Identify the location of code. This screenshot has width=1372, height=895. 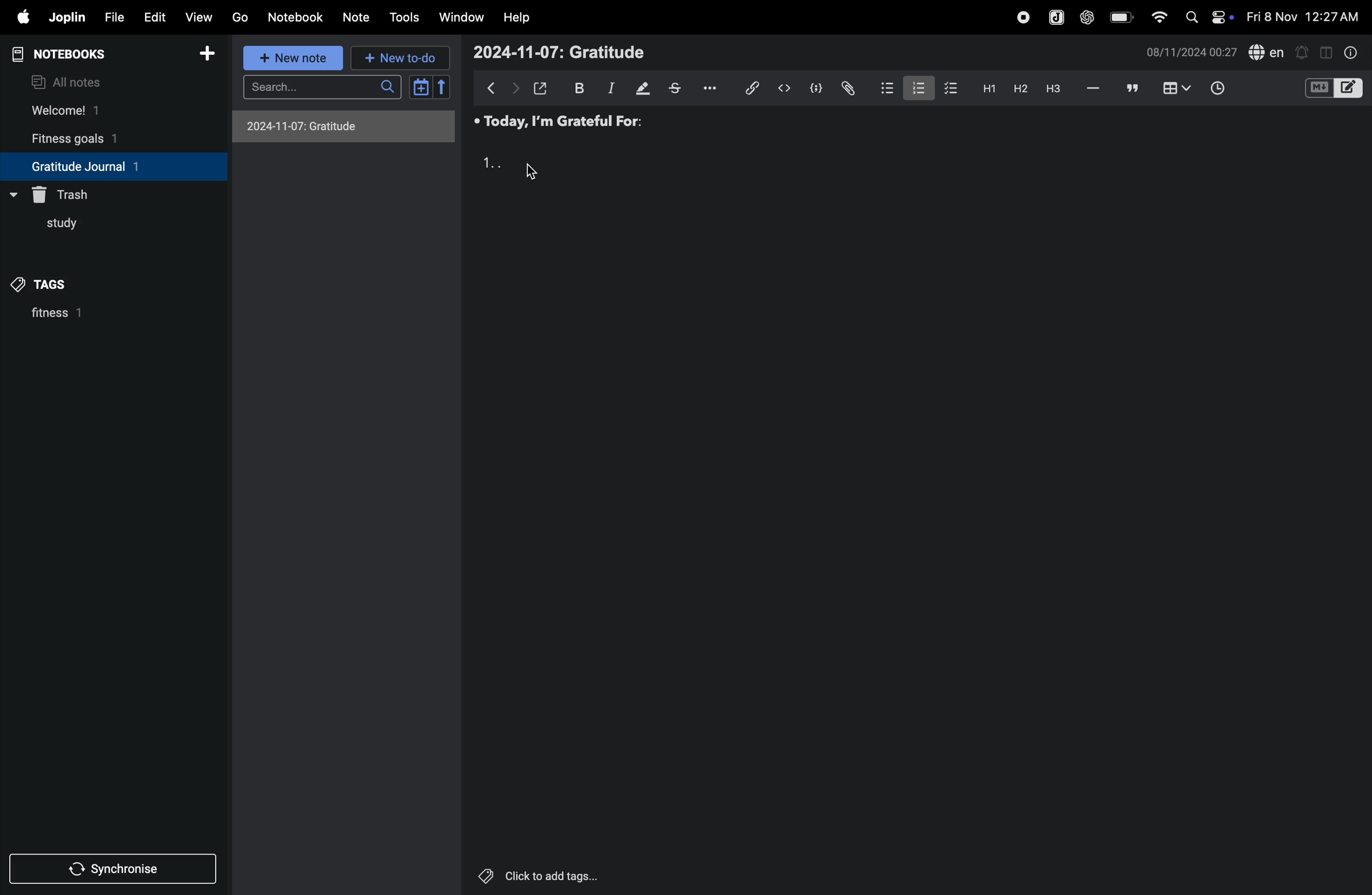
(813, 89).